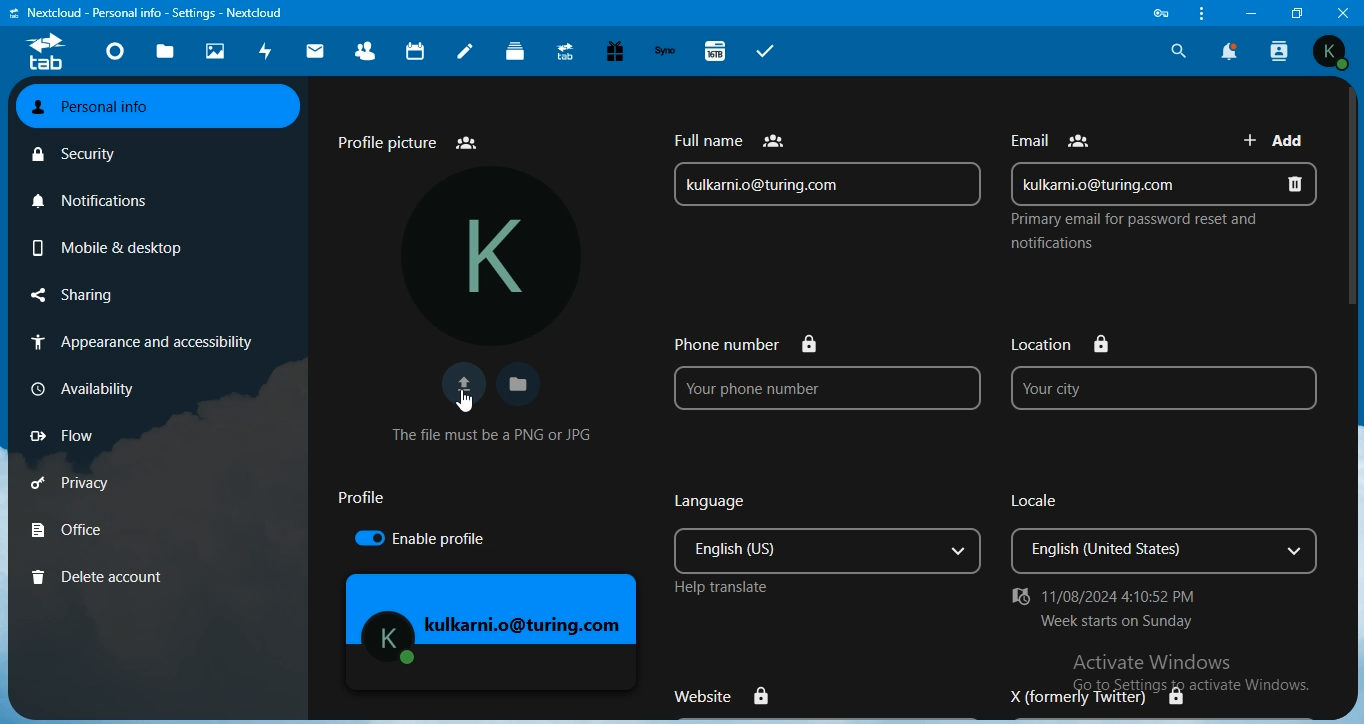 The height and width of the screenshot is (724, 1364). What do you see at coordinates (361, 501) in the screenshot?
I see `text` at bounding box center [361, 501].